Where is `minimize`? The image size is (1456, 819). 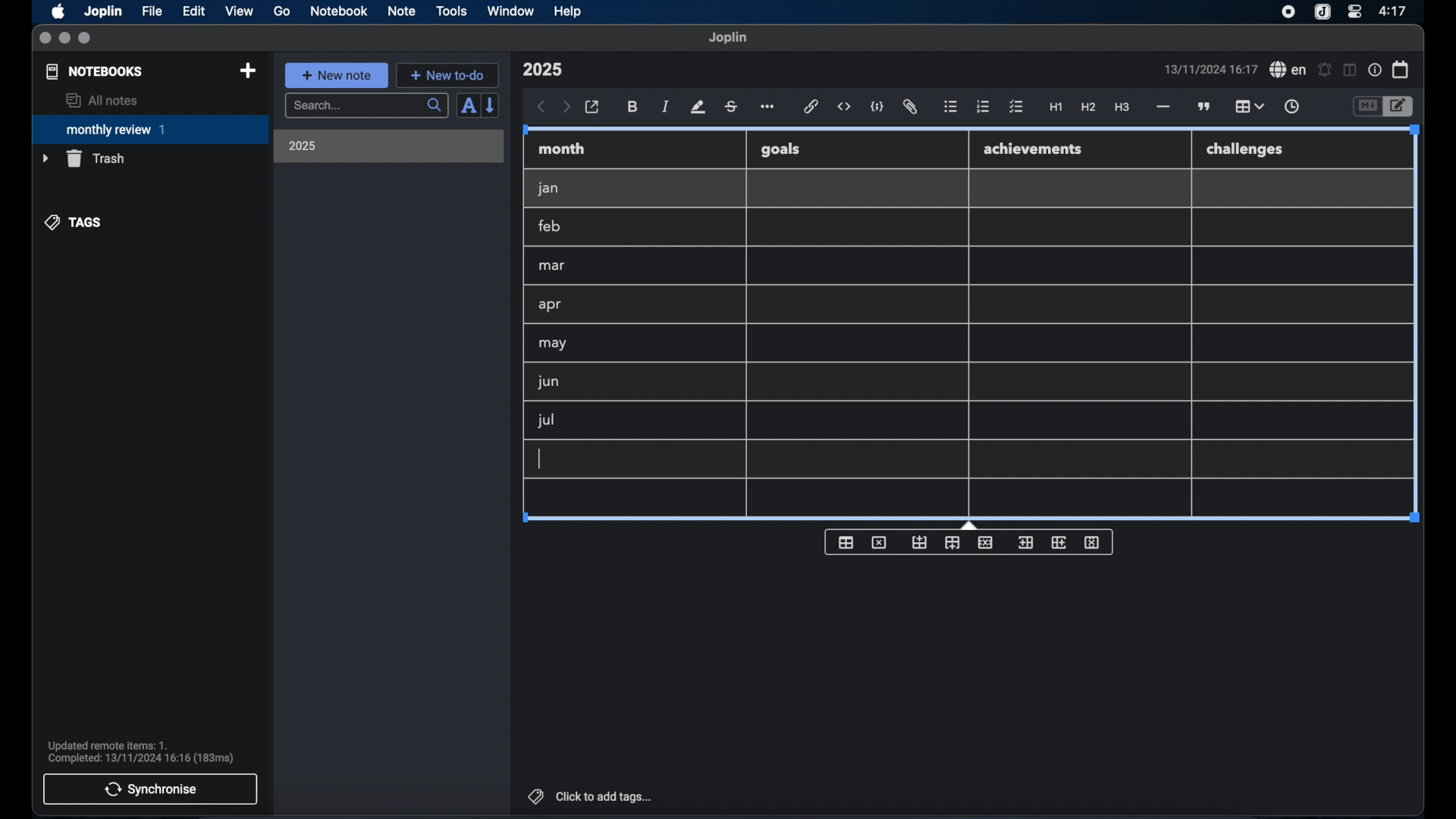 minimize is located at coordinates (64, 39).